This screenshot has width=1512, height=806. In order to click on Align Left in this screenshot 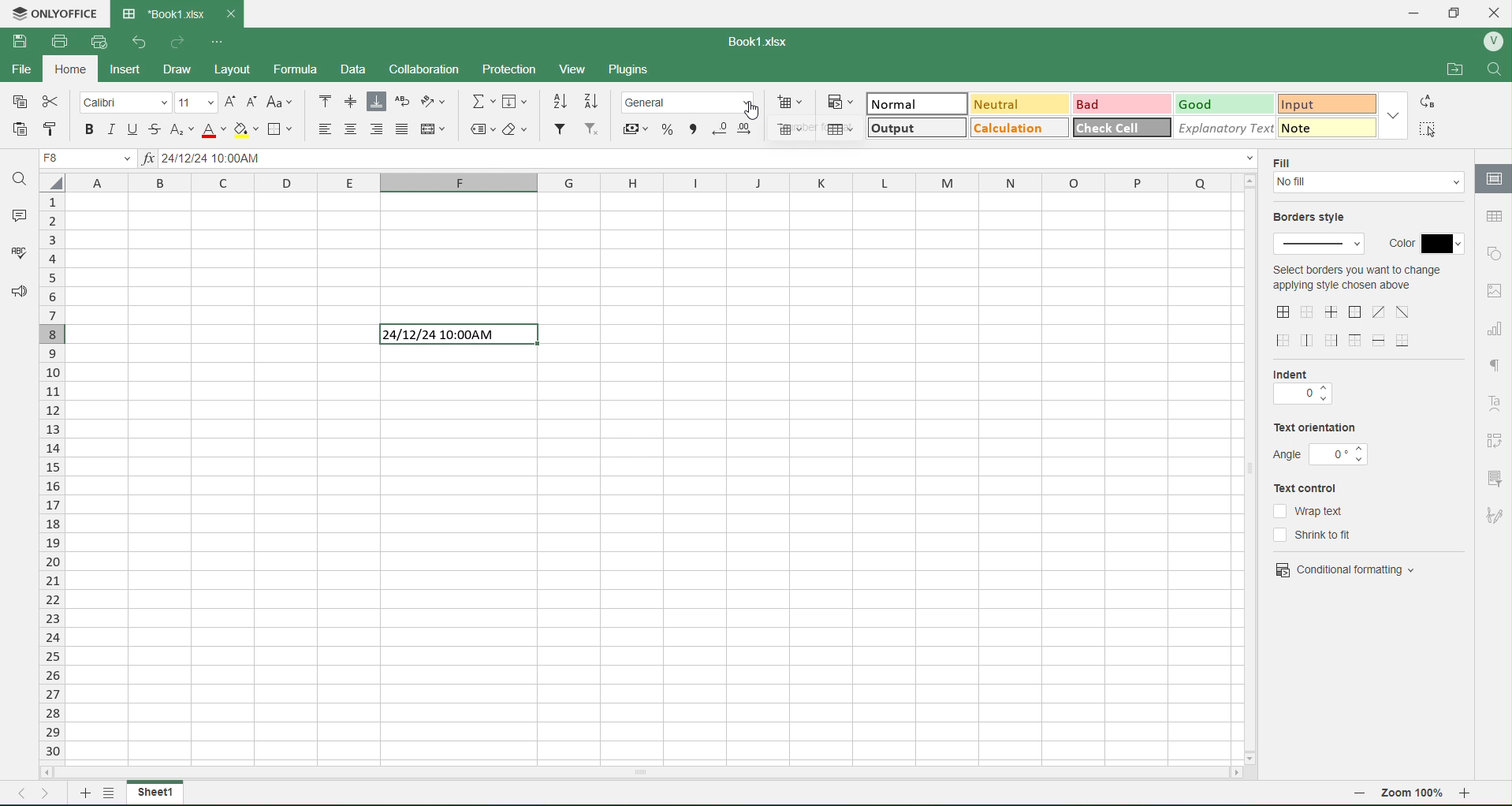, I will do `click(319, 129)`.